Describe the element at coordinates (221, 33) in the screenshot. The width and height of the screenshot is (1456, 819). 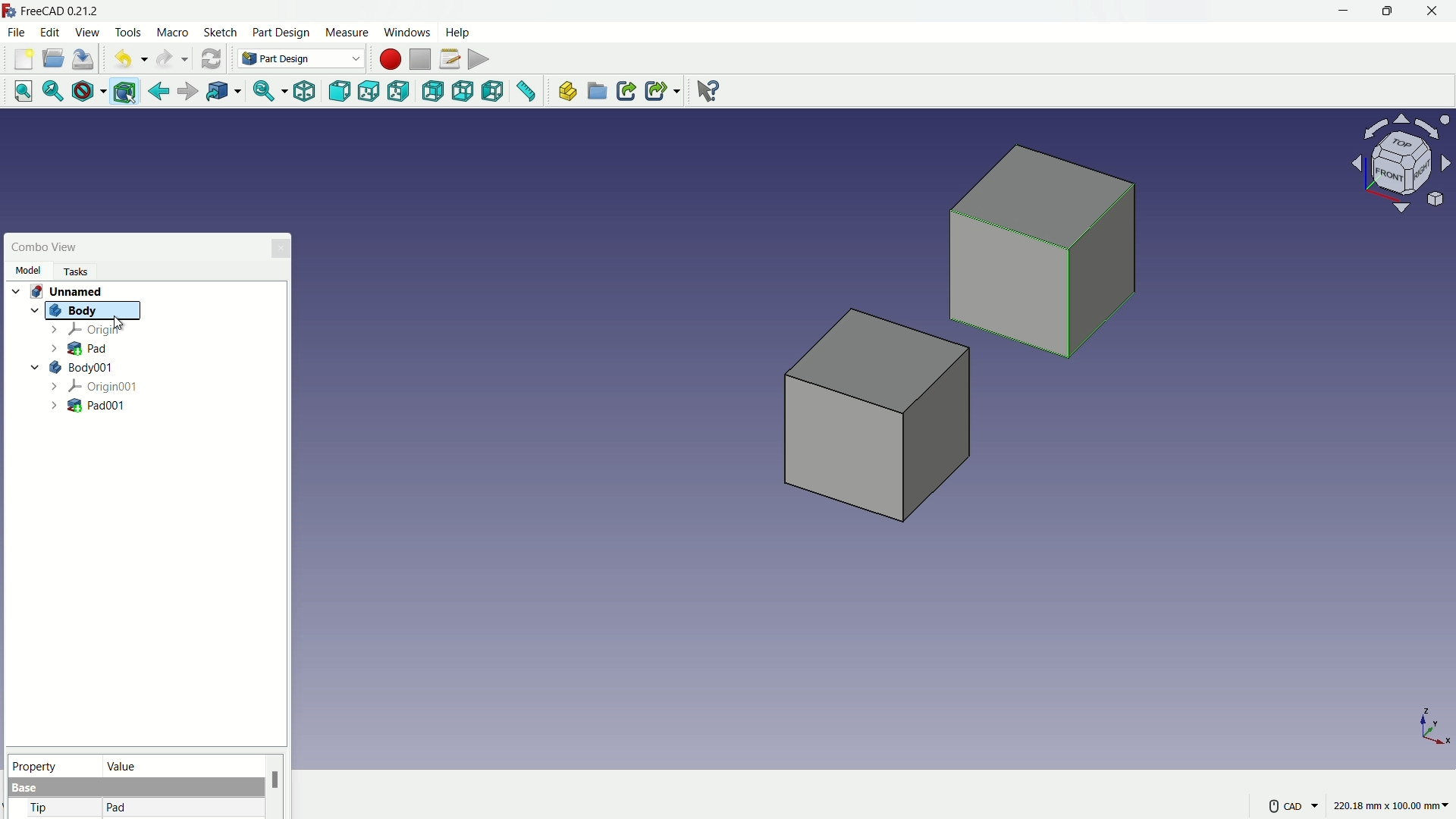
I see `sketch` at that location.